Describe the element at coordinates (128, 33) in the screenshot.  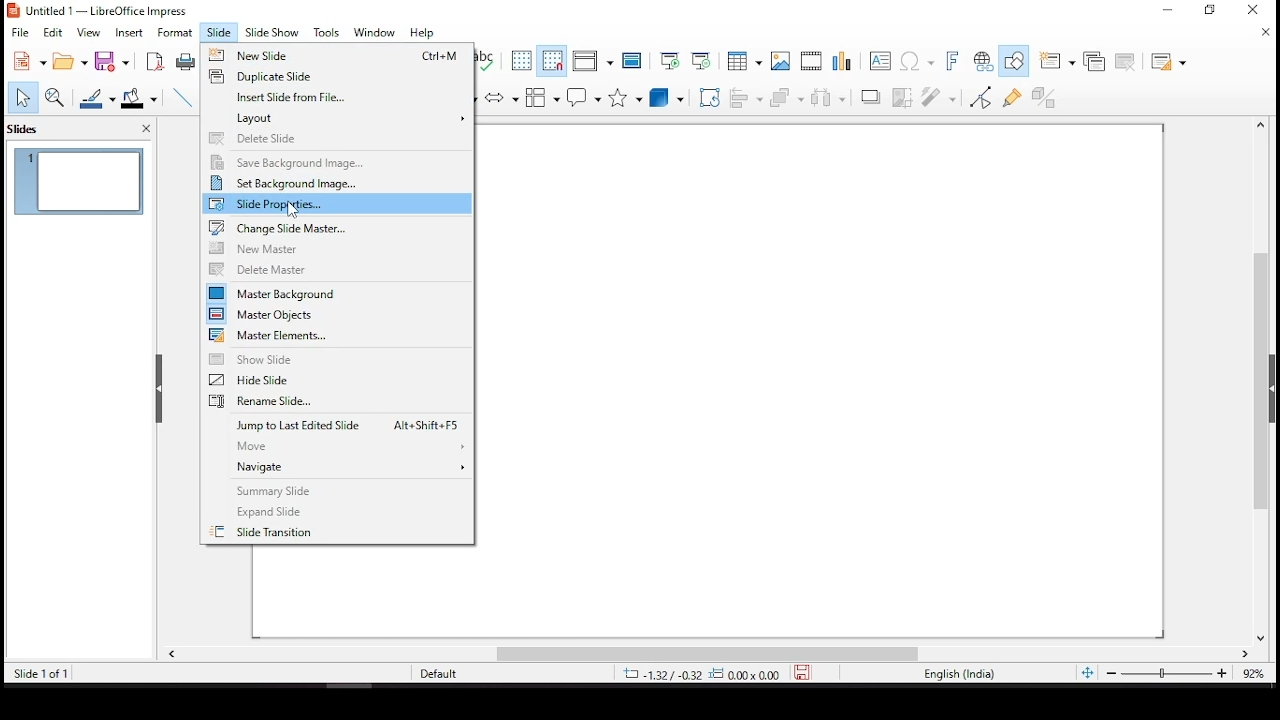
I see `insert` at that location.